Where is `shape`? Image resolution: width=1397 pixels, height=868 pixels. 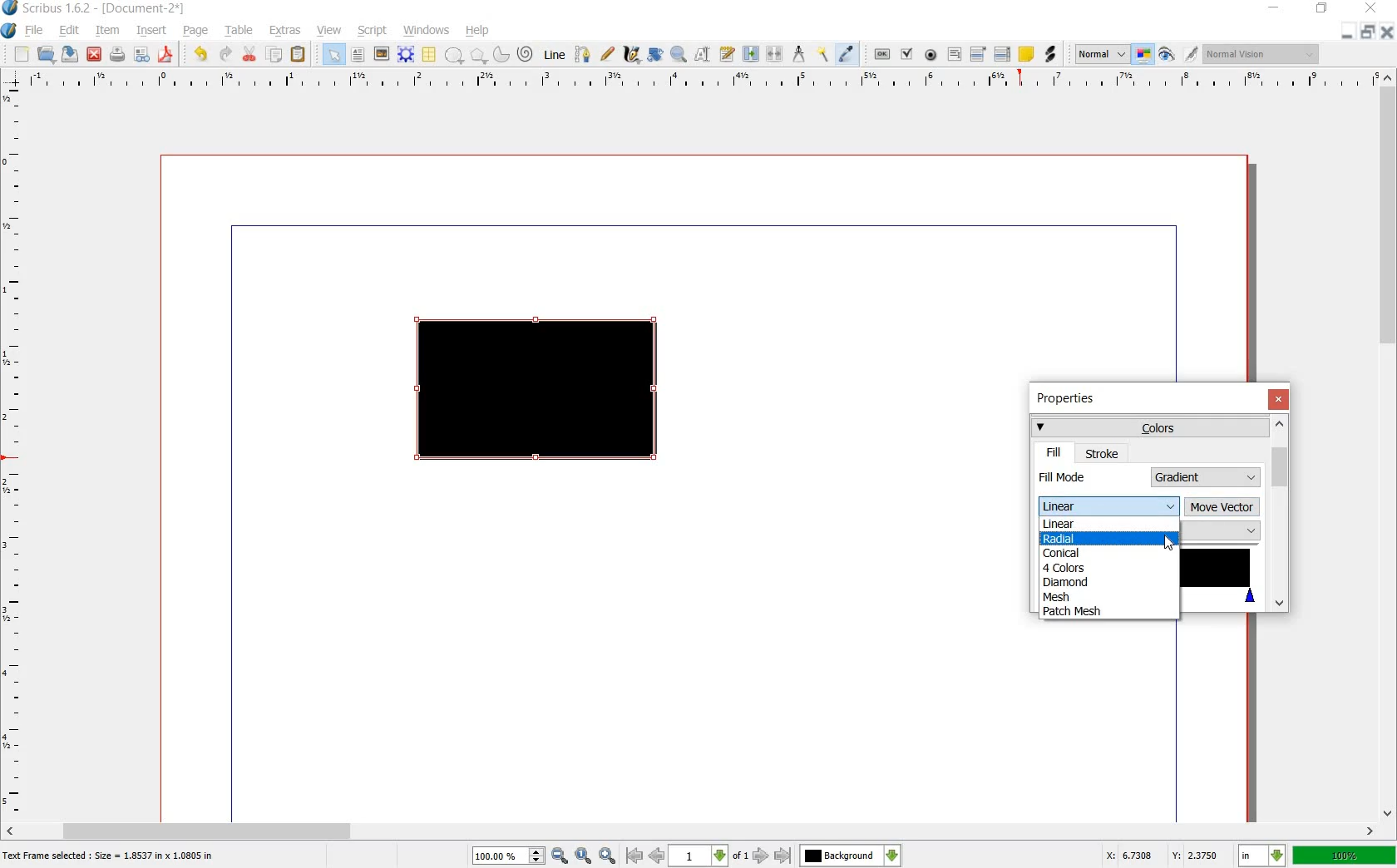
shape is located at coordinates (454, 56).